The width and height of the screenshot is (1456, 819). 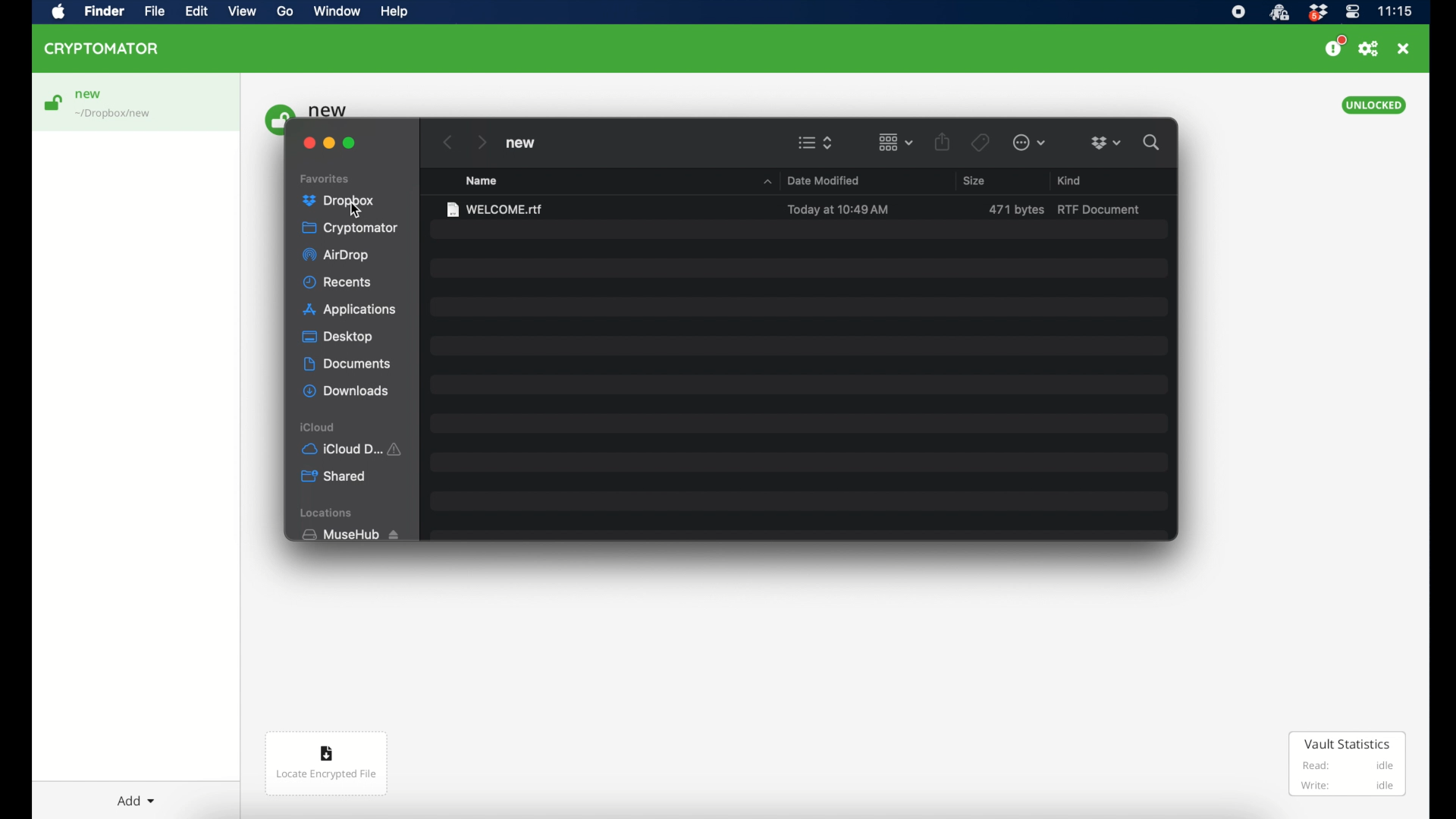 I want to click on airdrop, so click(x=336, y=256).